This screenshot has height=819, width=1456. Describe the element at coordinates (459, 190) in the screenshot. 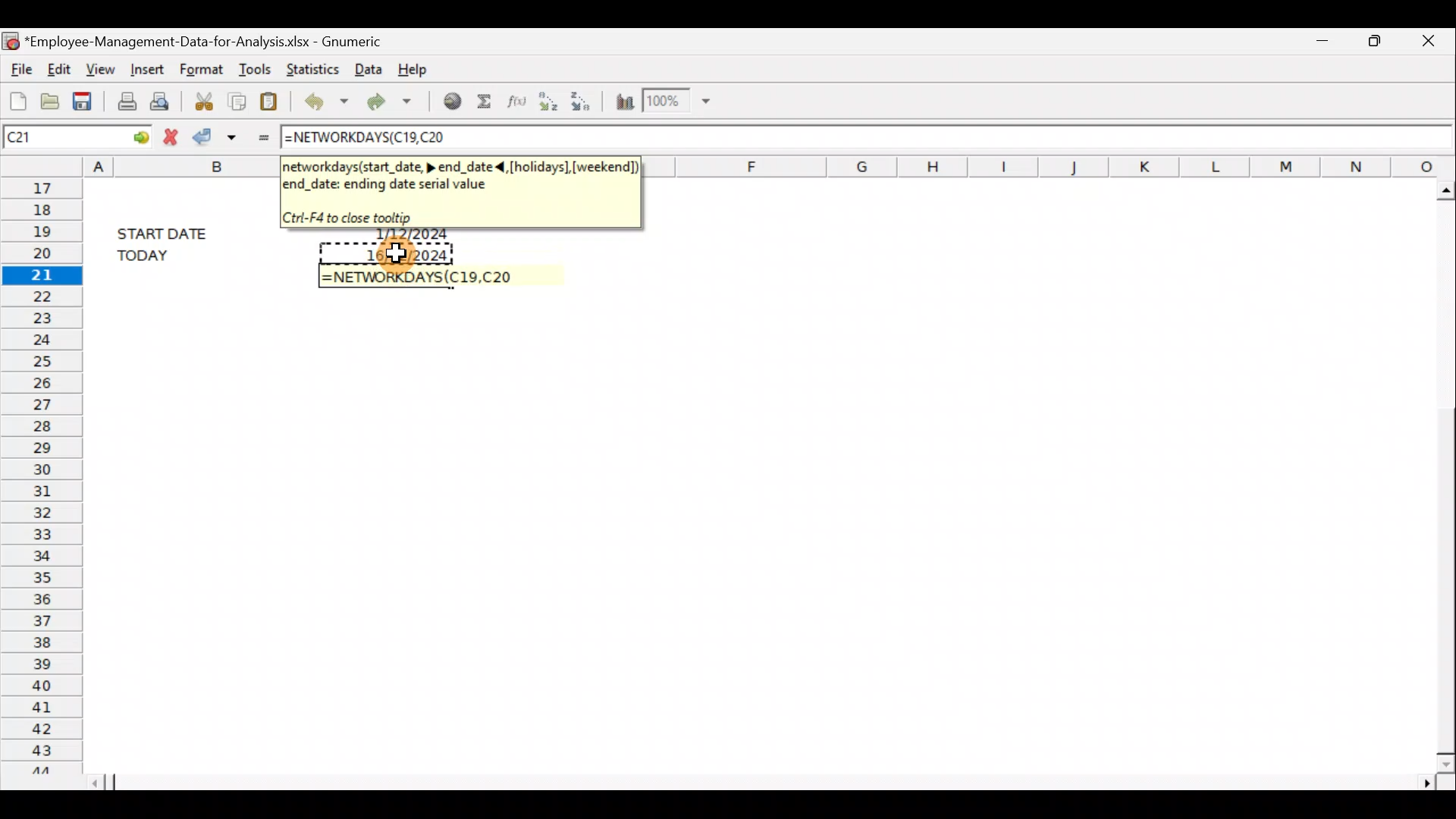

I see `networkworkdays(start_date >,end_date, <[holidays], [weekend],end_date: ending date serial value. Ctrl +F4 to close tooltip` at that location.